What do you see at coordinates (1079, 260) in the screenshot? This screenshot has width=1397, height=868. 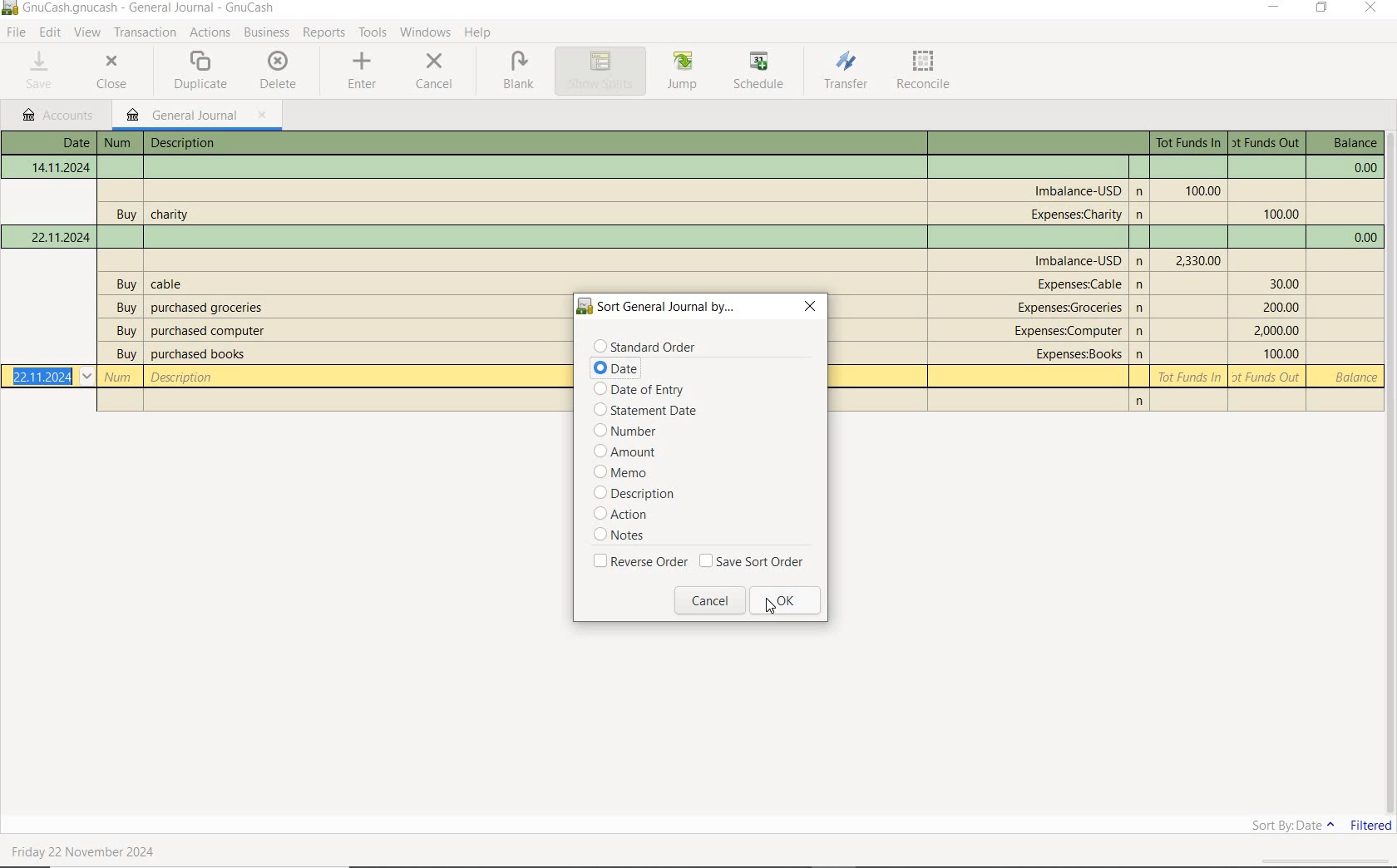 I see `account` at bounding box center [1079, 260].